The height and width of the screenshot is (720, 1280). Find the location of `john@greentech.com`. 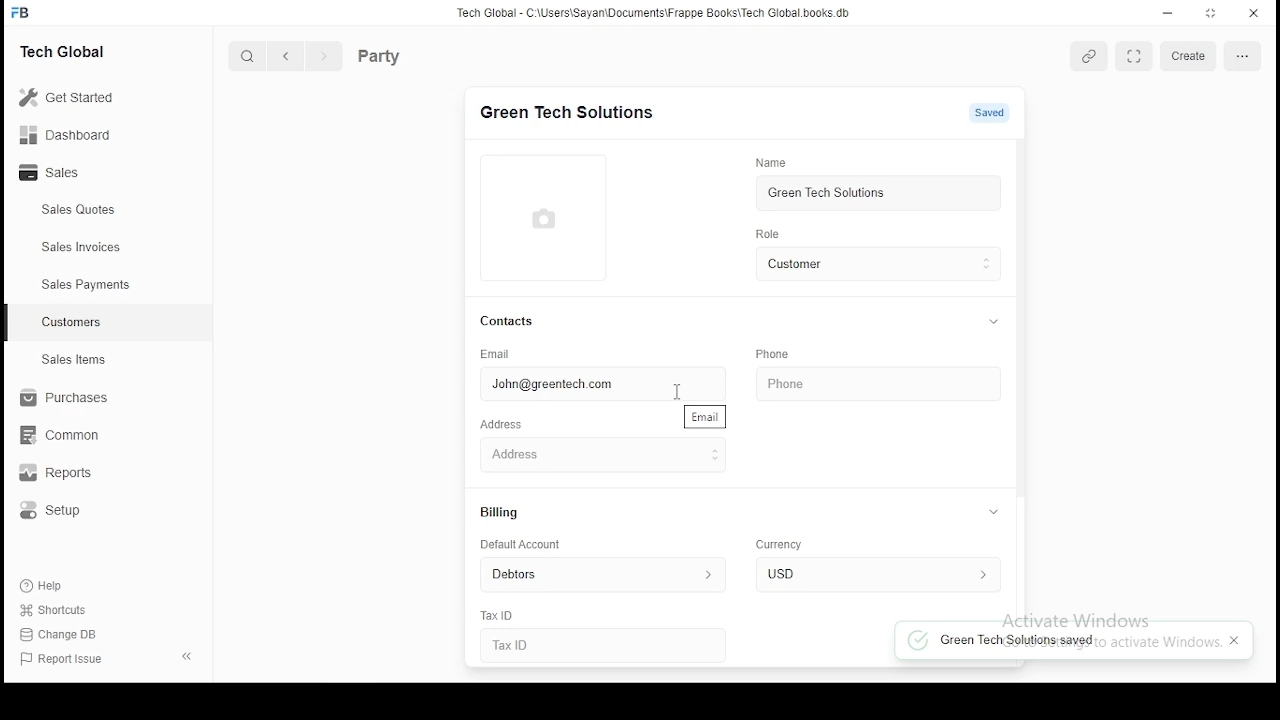

john@greentech.com is located at coordinates (583, 385).